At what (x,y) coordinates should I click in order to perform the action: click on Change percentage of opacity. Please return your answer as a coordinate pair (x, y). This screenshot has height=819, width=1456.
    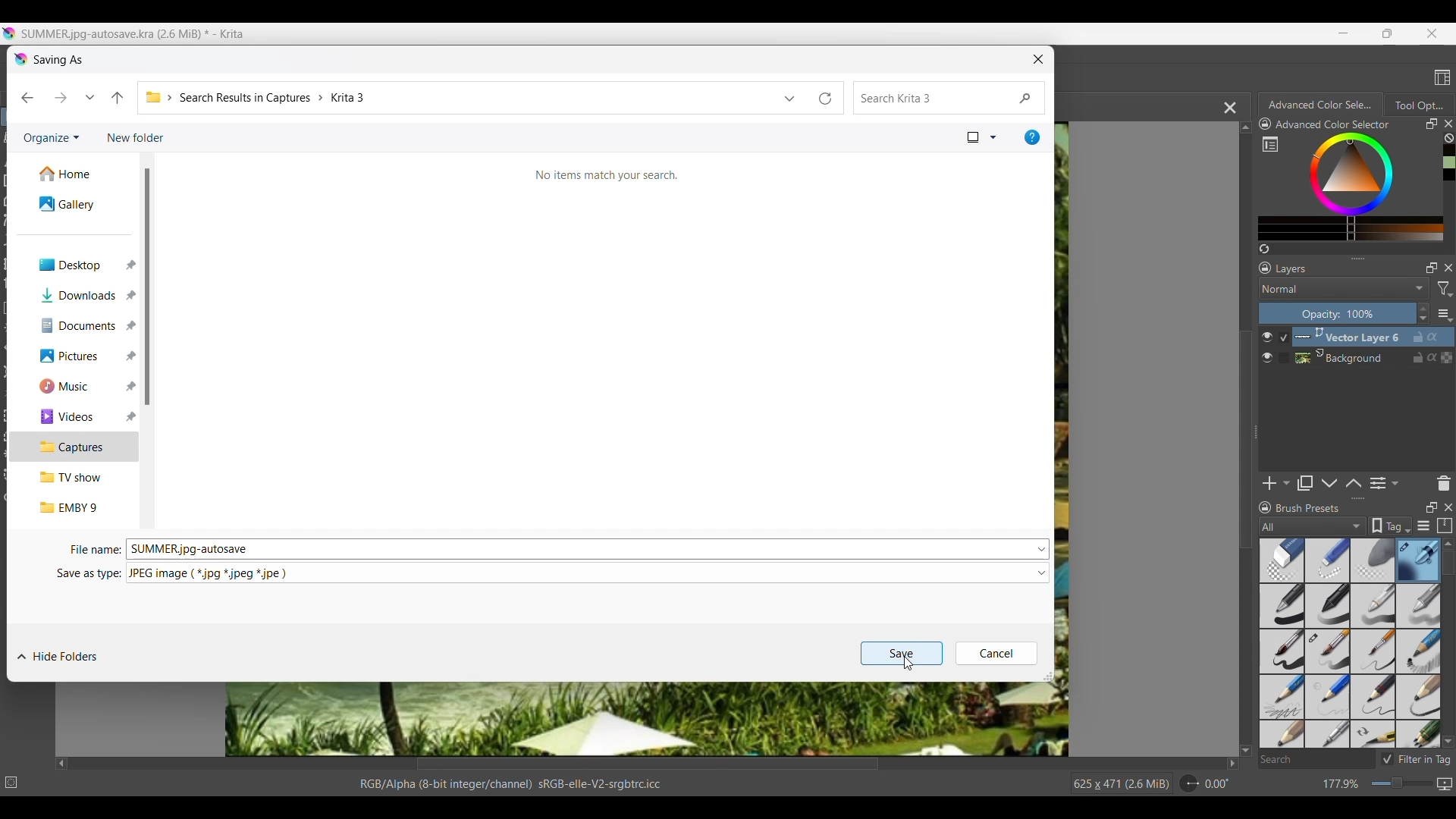
    Looking at the image, I should click on (1337, 313).